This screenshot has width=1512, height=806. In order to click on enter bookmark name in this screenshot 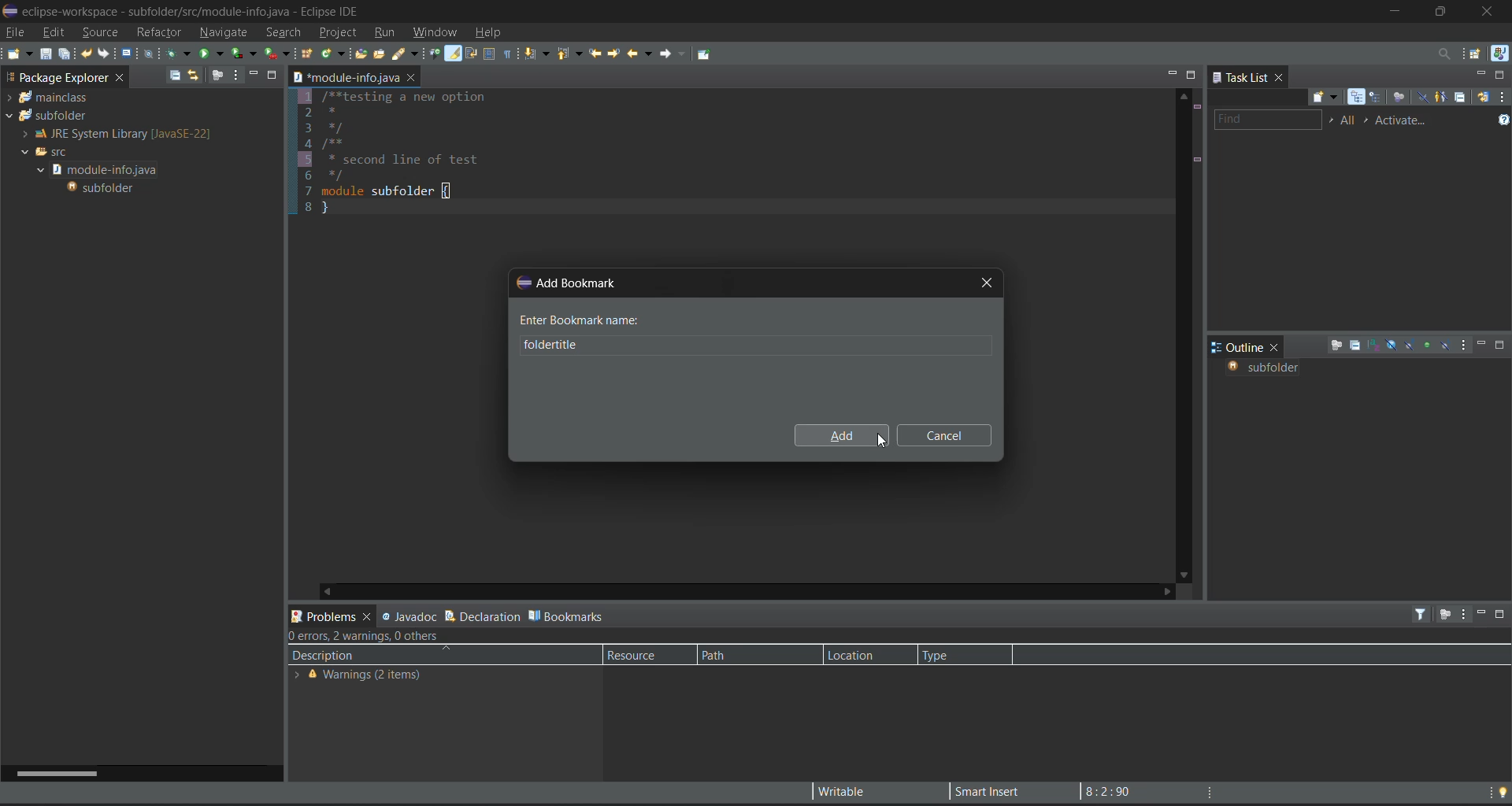, I will do `click(580, 320)`.